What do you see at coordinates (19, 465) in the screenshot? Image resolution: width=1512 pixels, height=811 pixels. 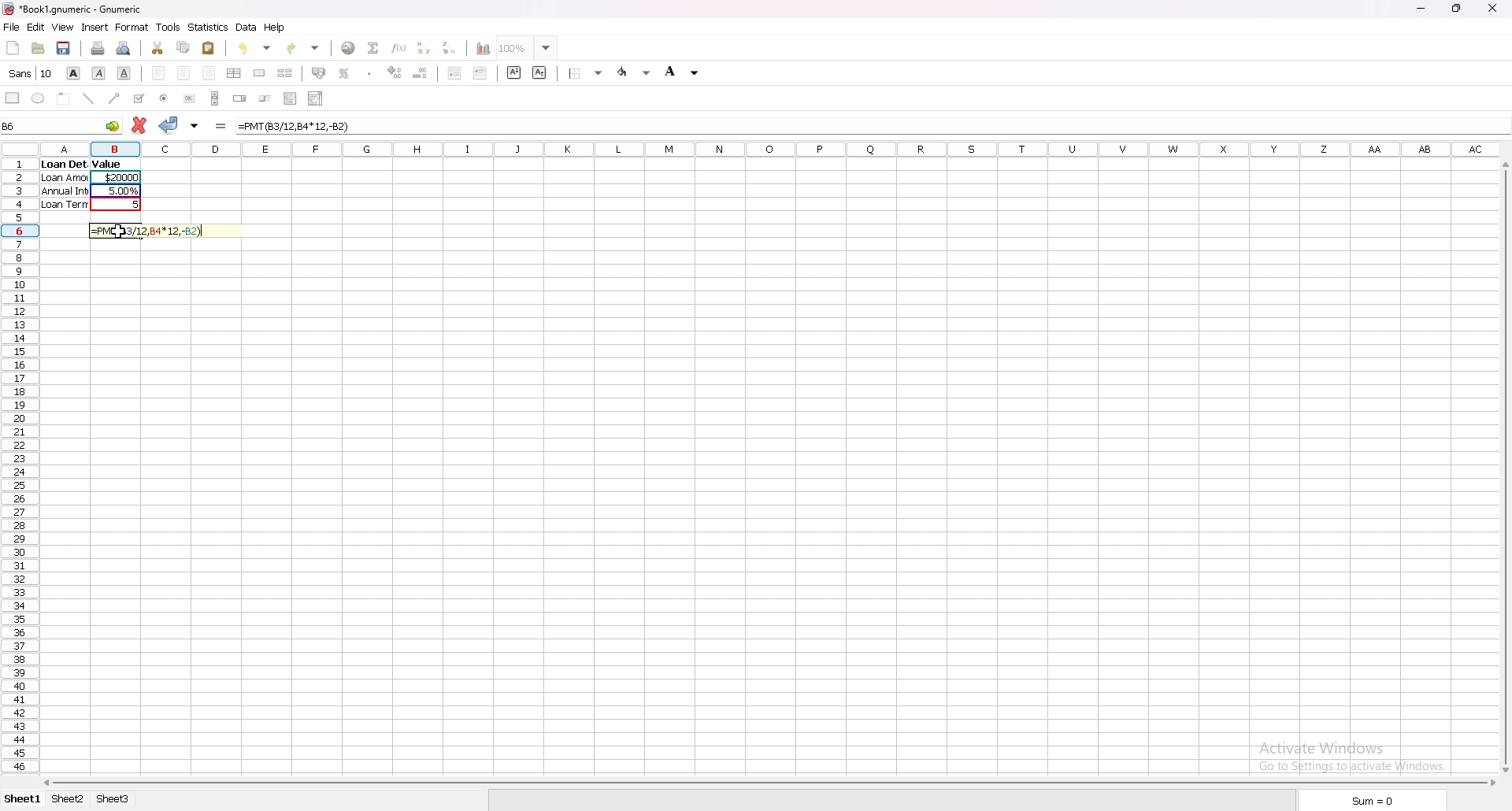 I see `row` at bounding box center [19, 465].